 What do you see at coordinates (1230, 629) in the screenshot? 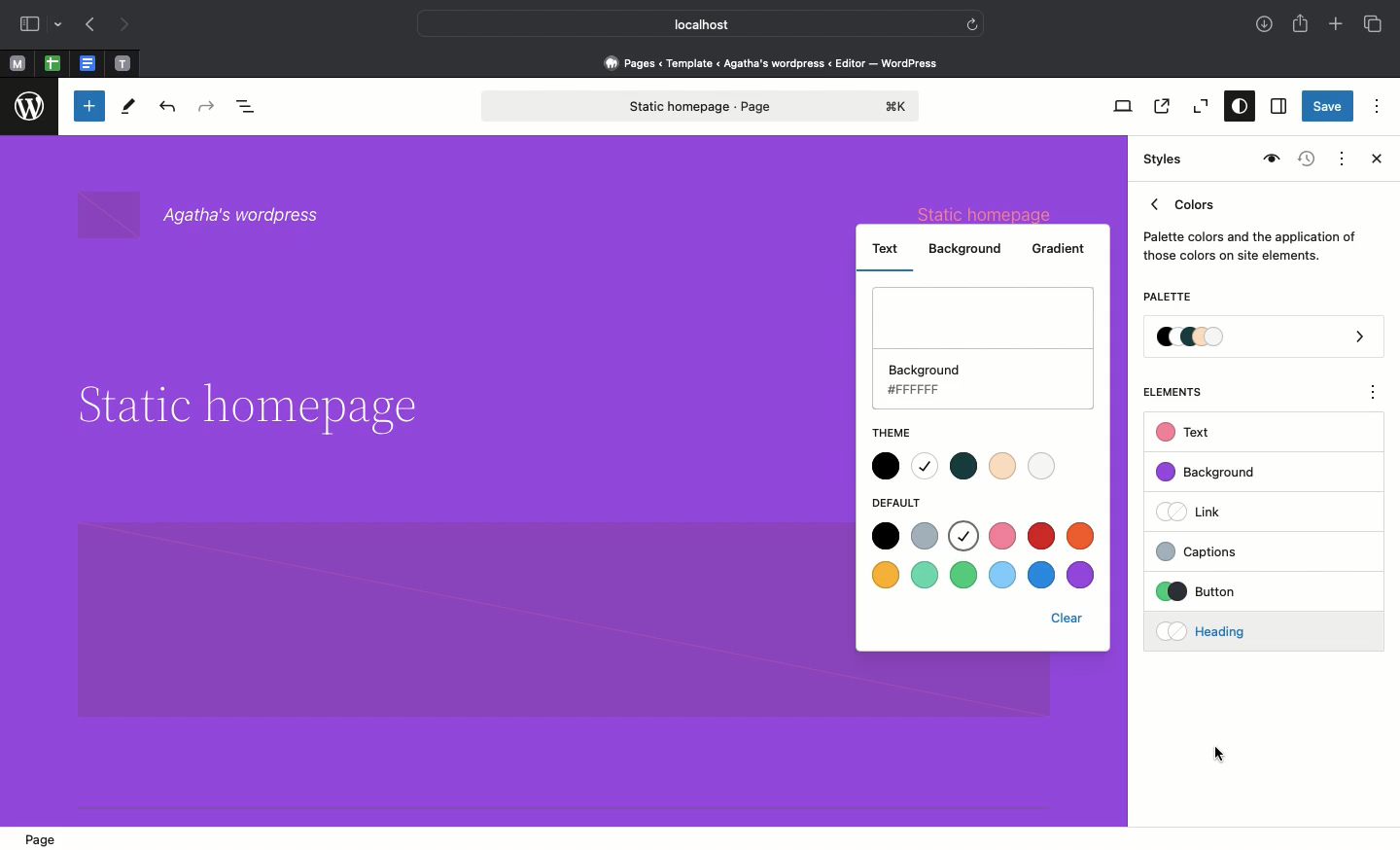
I see `Headings` at bounding box center [1230, 629].